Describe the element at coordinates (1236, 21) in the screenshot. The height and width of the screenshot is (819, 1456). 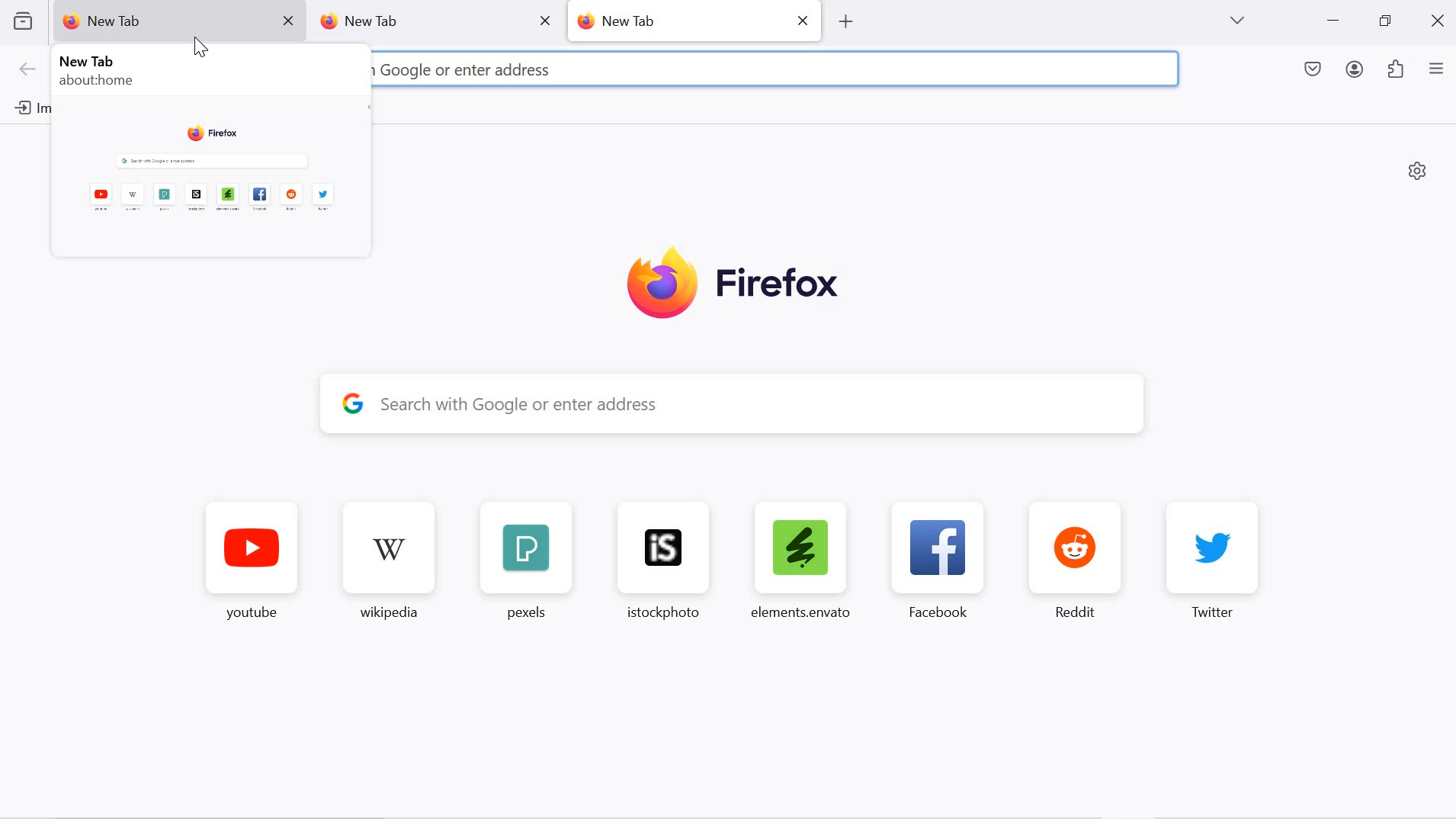
I see `list all tabs` at that location.